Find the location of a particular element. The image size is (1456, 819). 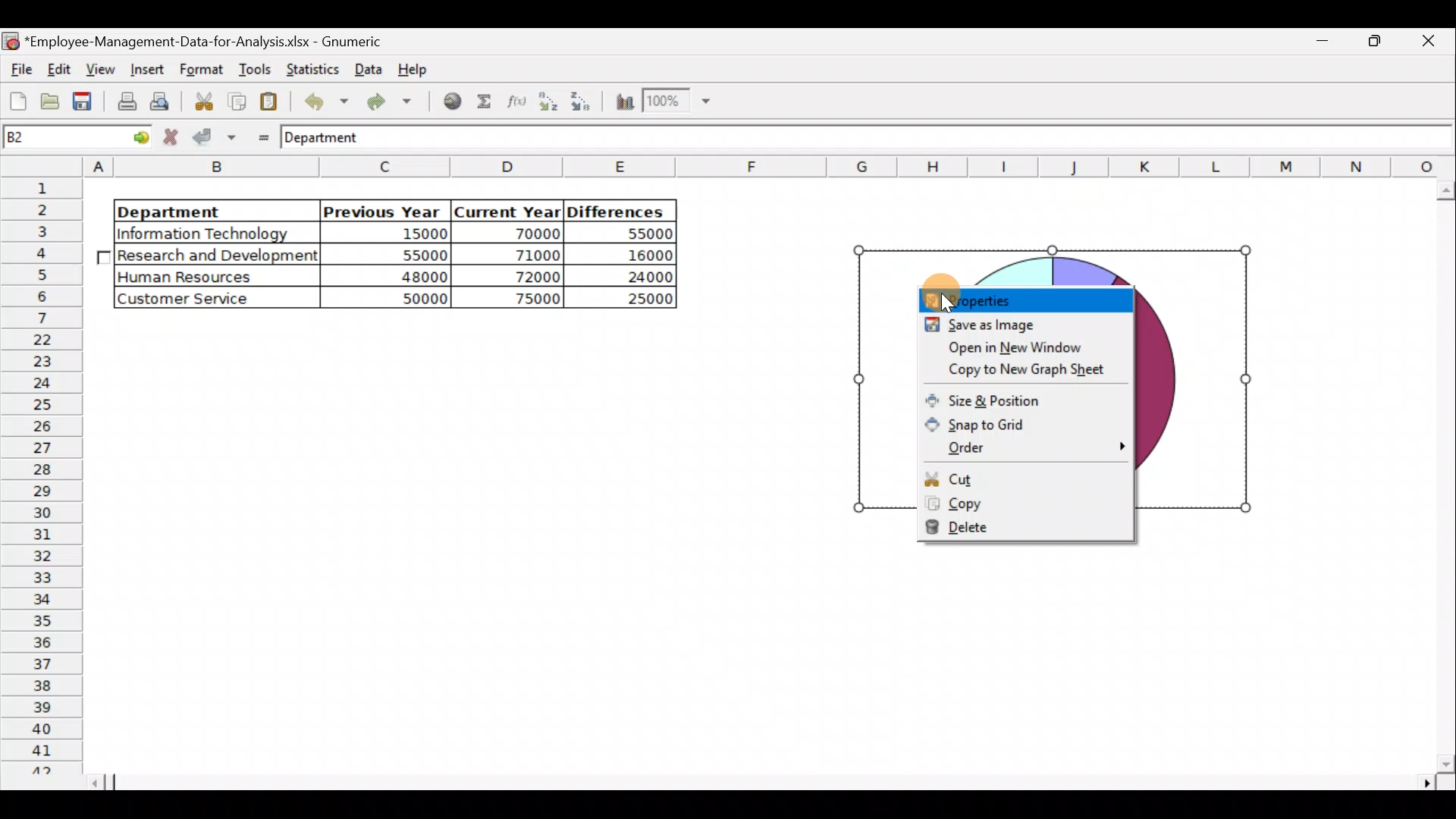

Sum into the current cell is located at coordinates (485, 100).